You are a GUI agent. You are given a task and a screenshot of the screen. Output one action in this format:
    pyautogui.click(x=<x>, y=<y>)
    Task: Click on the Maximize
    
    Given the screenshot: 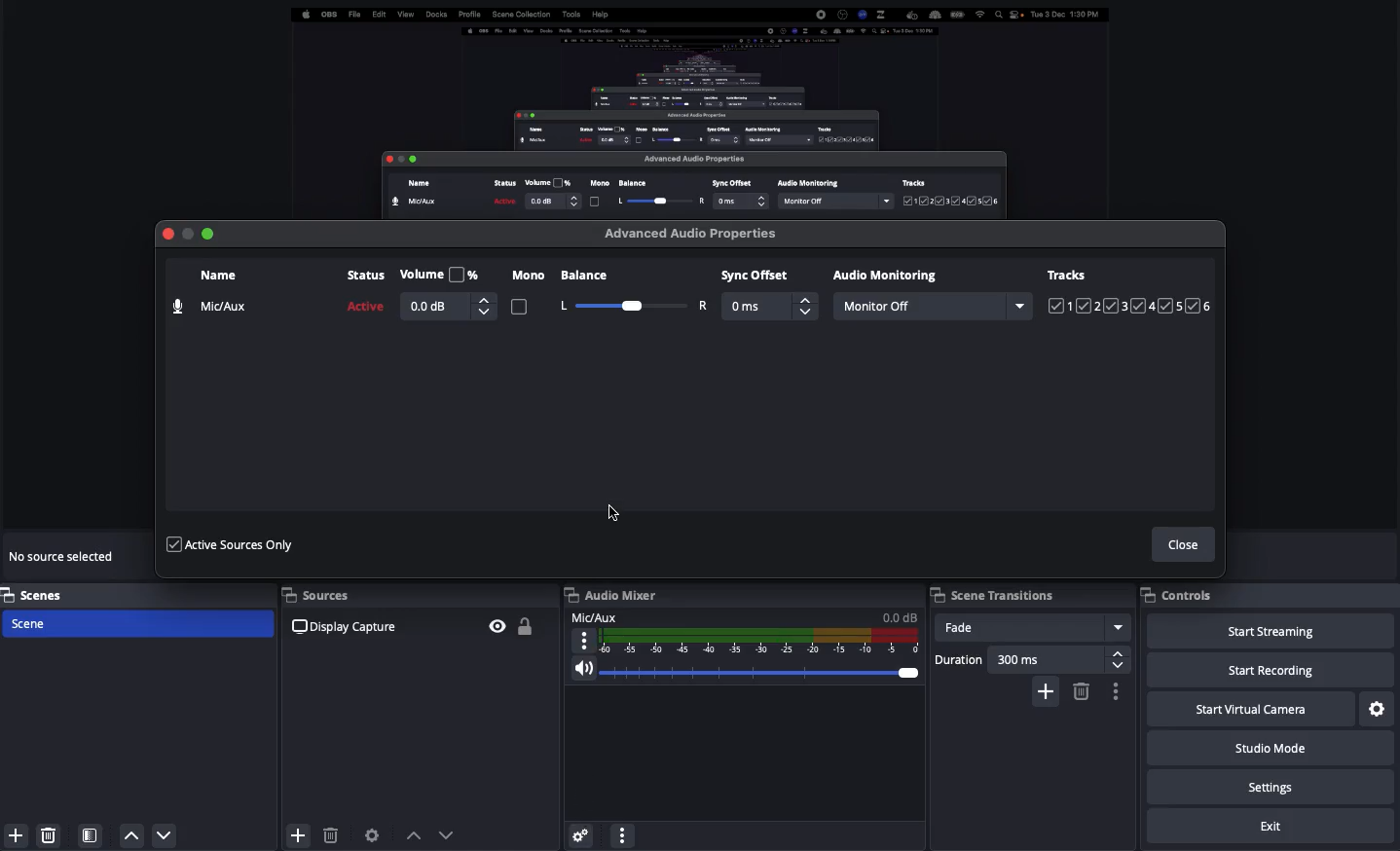 What is the action you would take?
    pyautogui.click(x=208, y=235)
    